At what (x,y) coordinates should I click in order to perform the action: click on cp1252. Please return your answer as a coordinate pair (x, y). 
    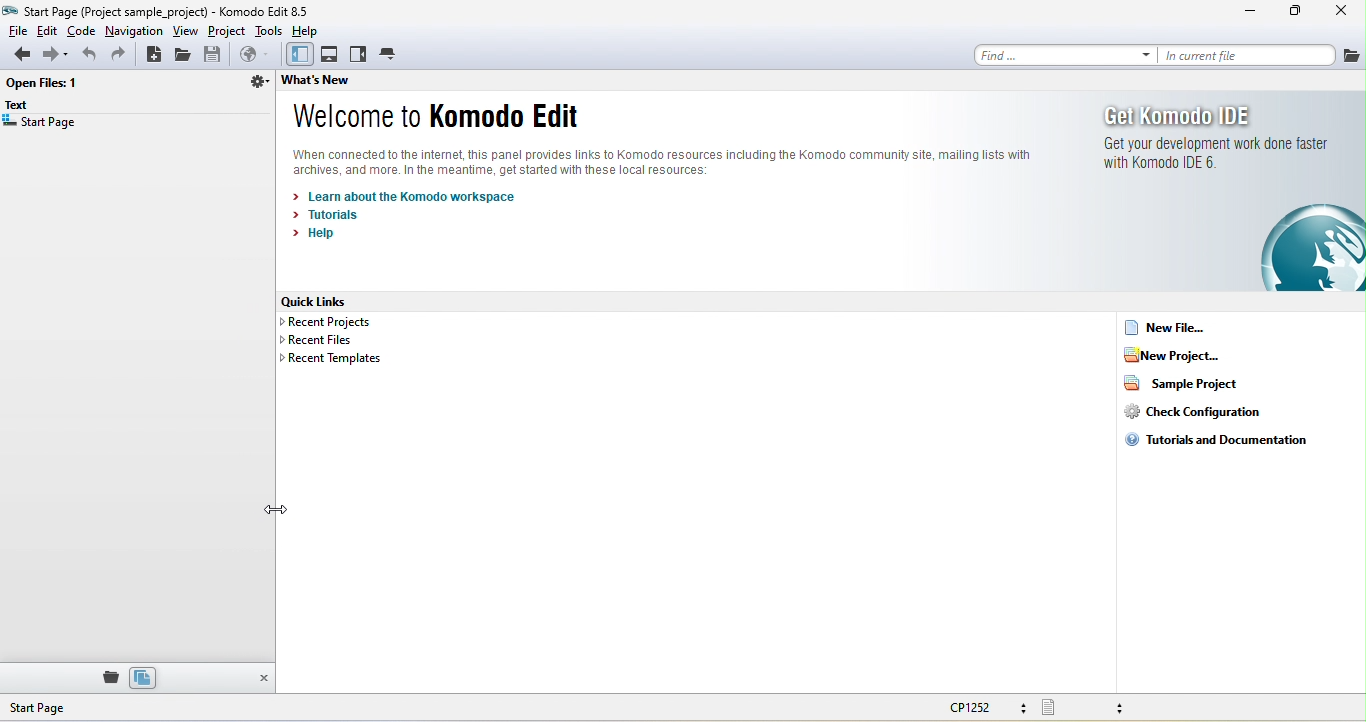
    Looking at the image, I should click on (991, 709).